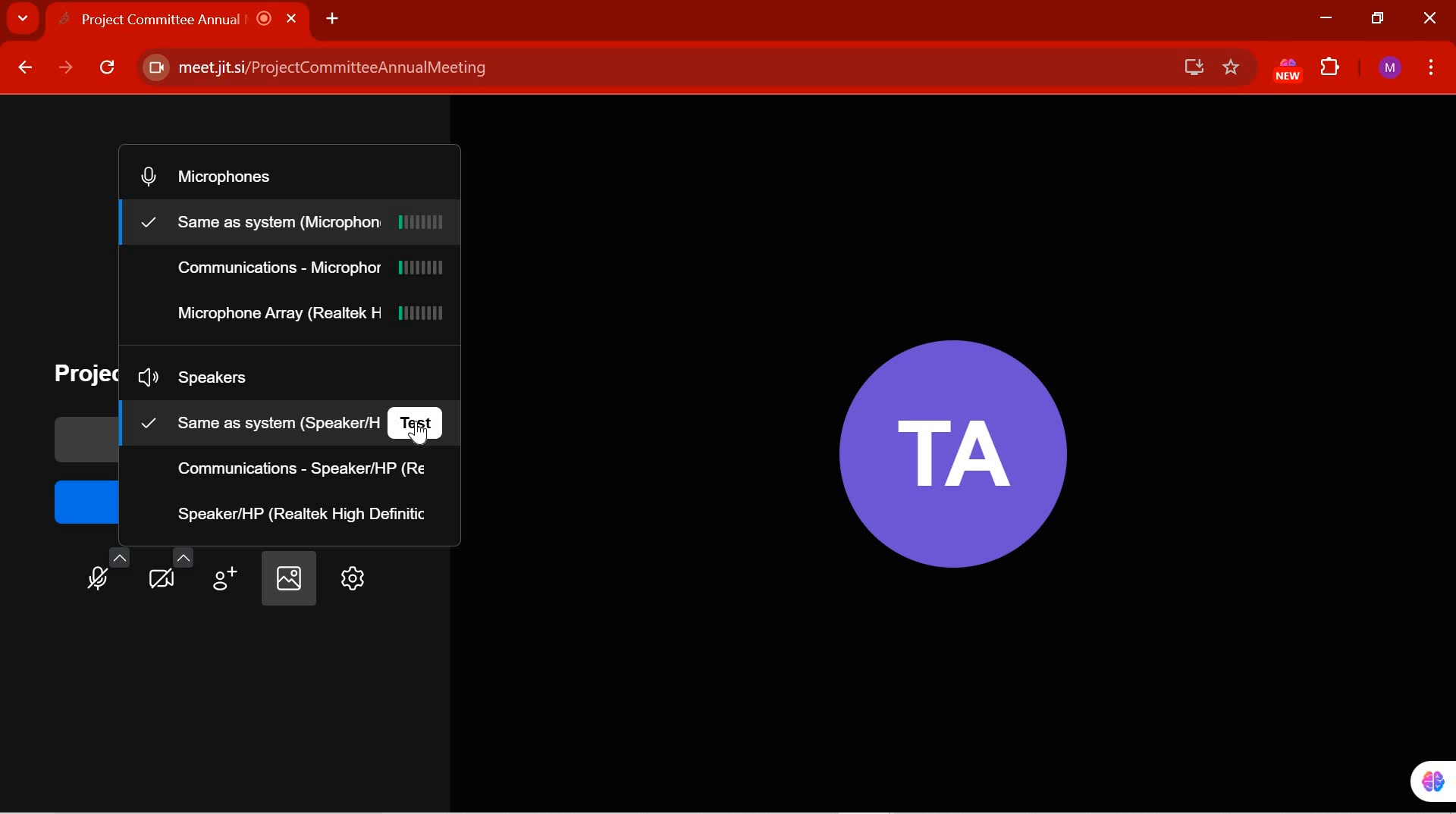 Image resolution: width=1456 pixels, height=814 pixels. Describe the element at coordinates (945, 443) in the screenshot. I see `Participant Initials` at that location.